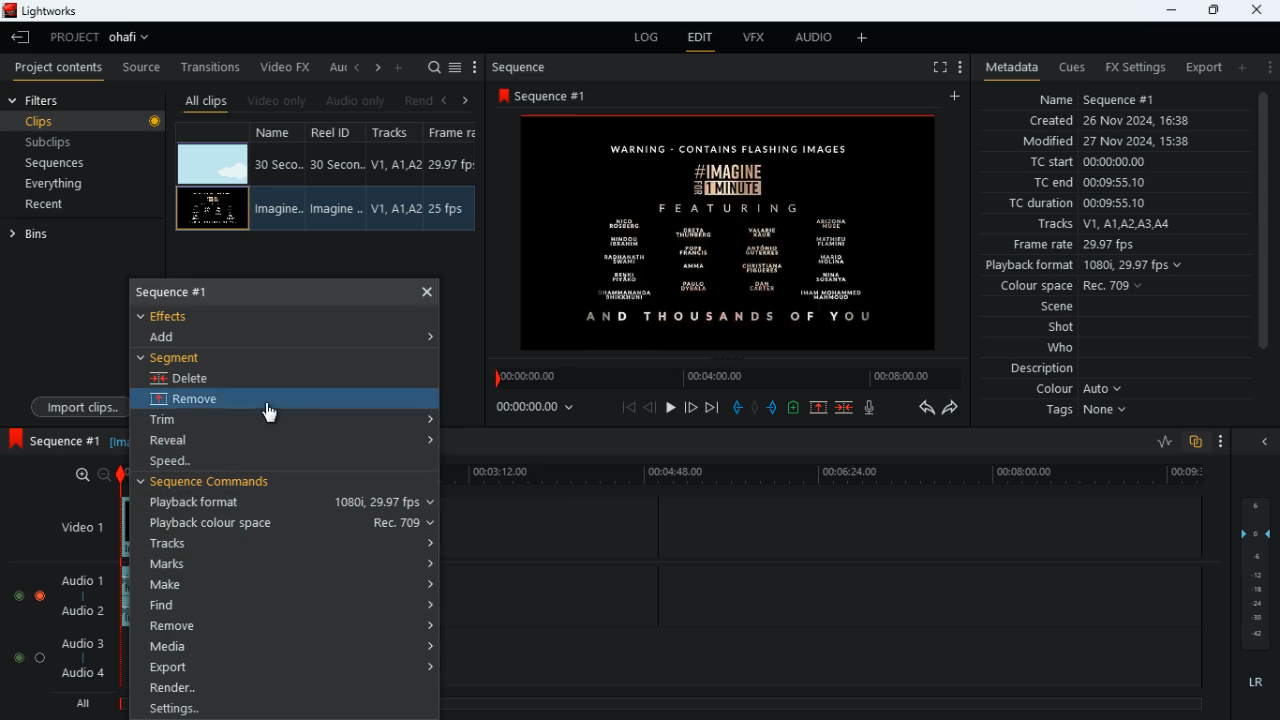  I want to click on right, so click(466, 100).